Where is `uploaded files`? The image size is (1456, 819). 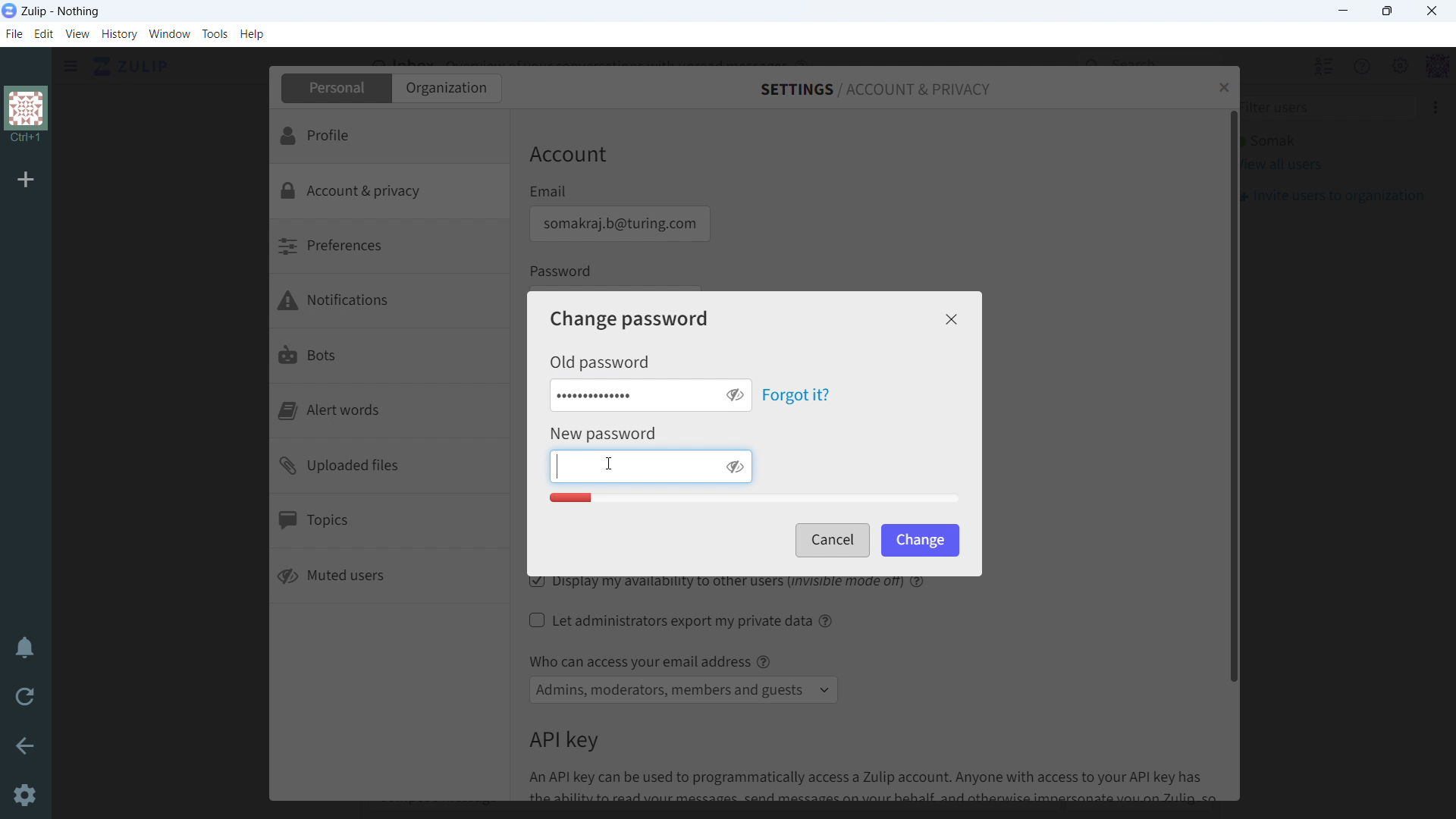 uploaded files is located at coordinates (391, 467).